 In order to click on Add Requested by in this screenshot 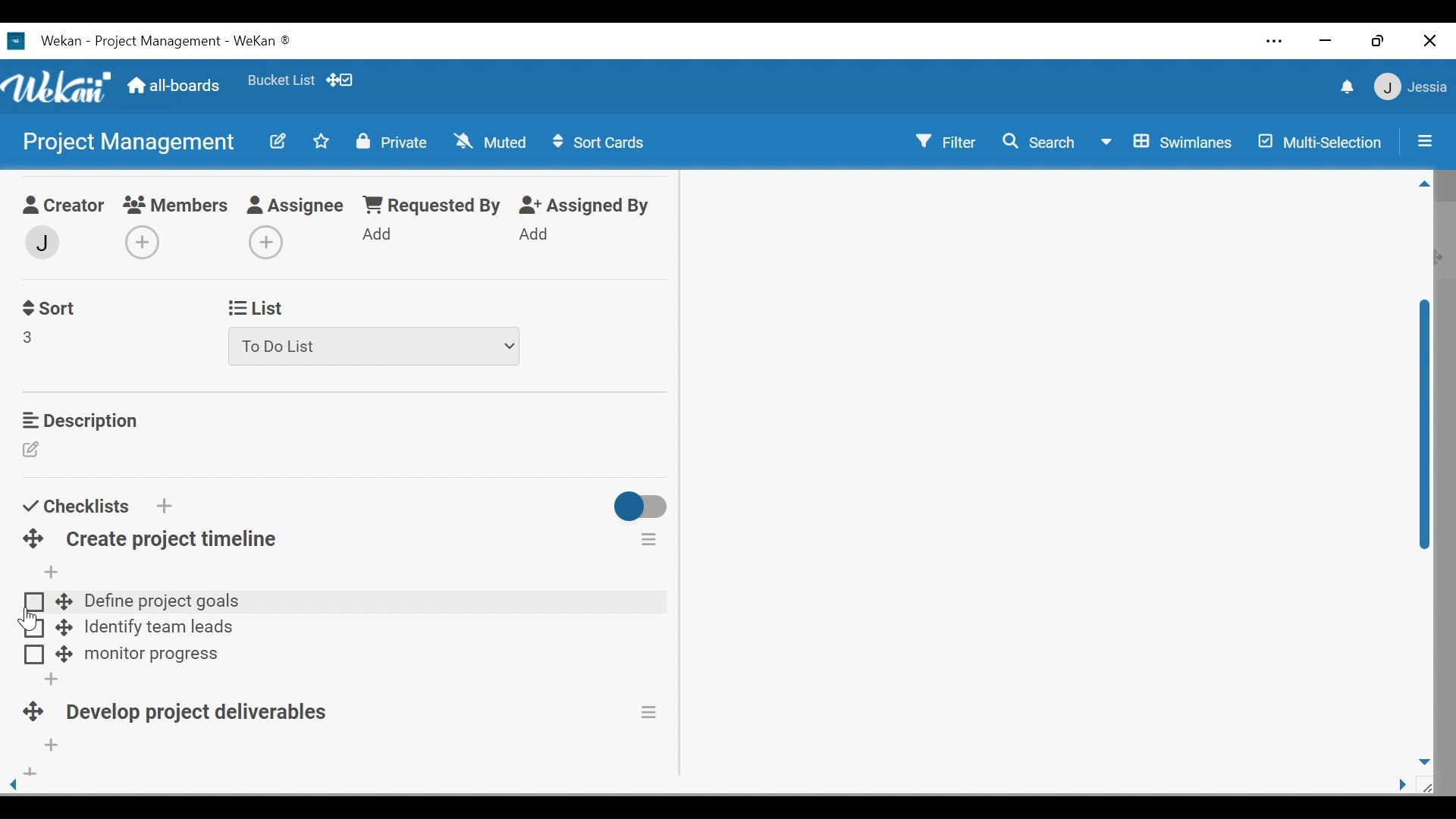, I will do `click(378, 233)`.